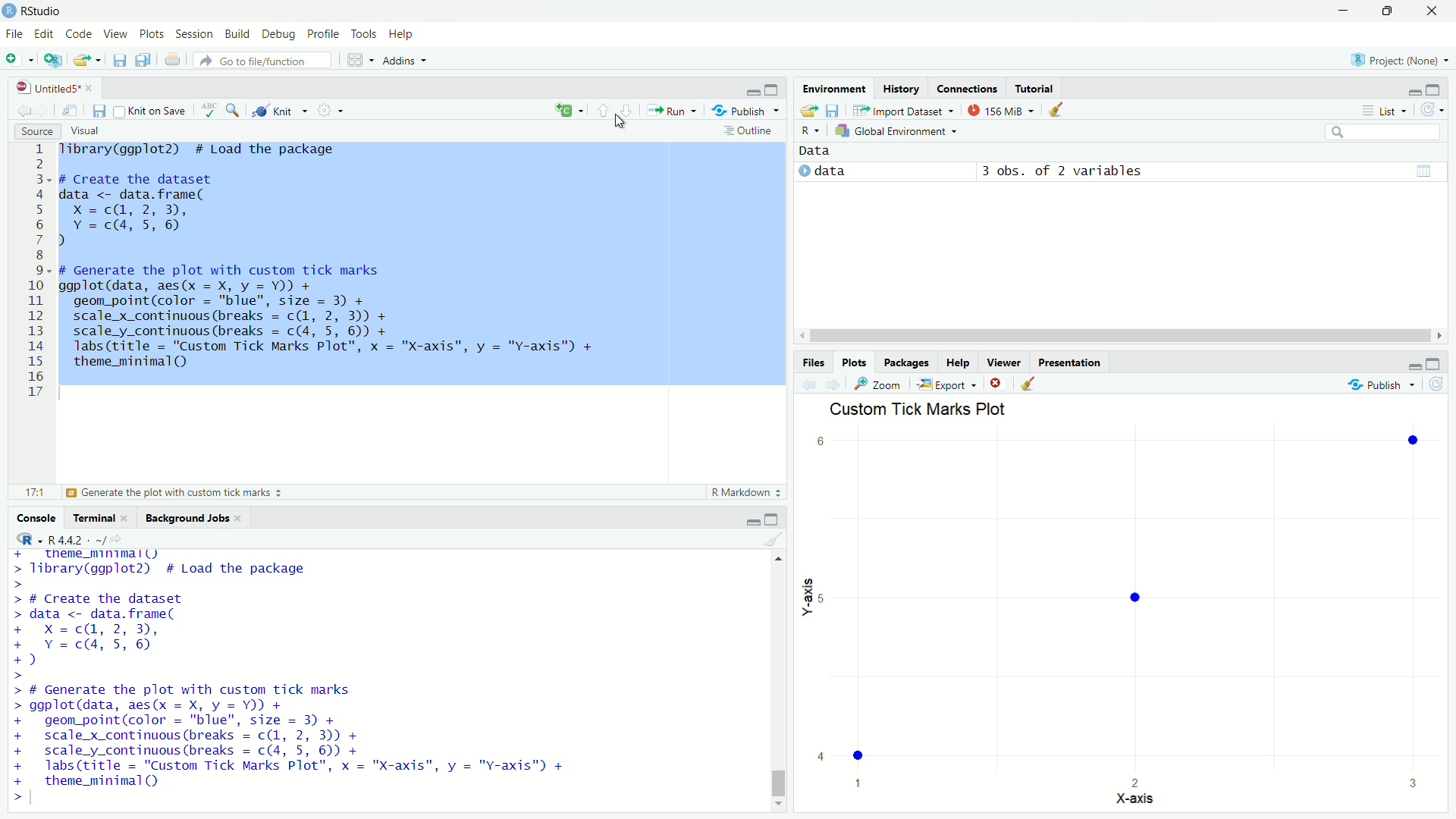 The width and height of the screenshot is (1456, 819). Describe the element at coordinates (631, 112) in the screenshot. I see `go to next section/chunk` at that location.